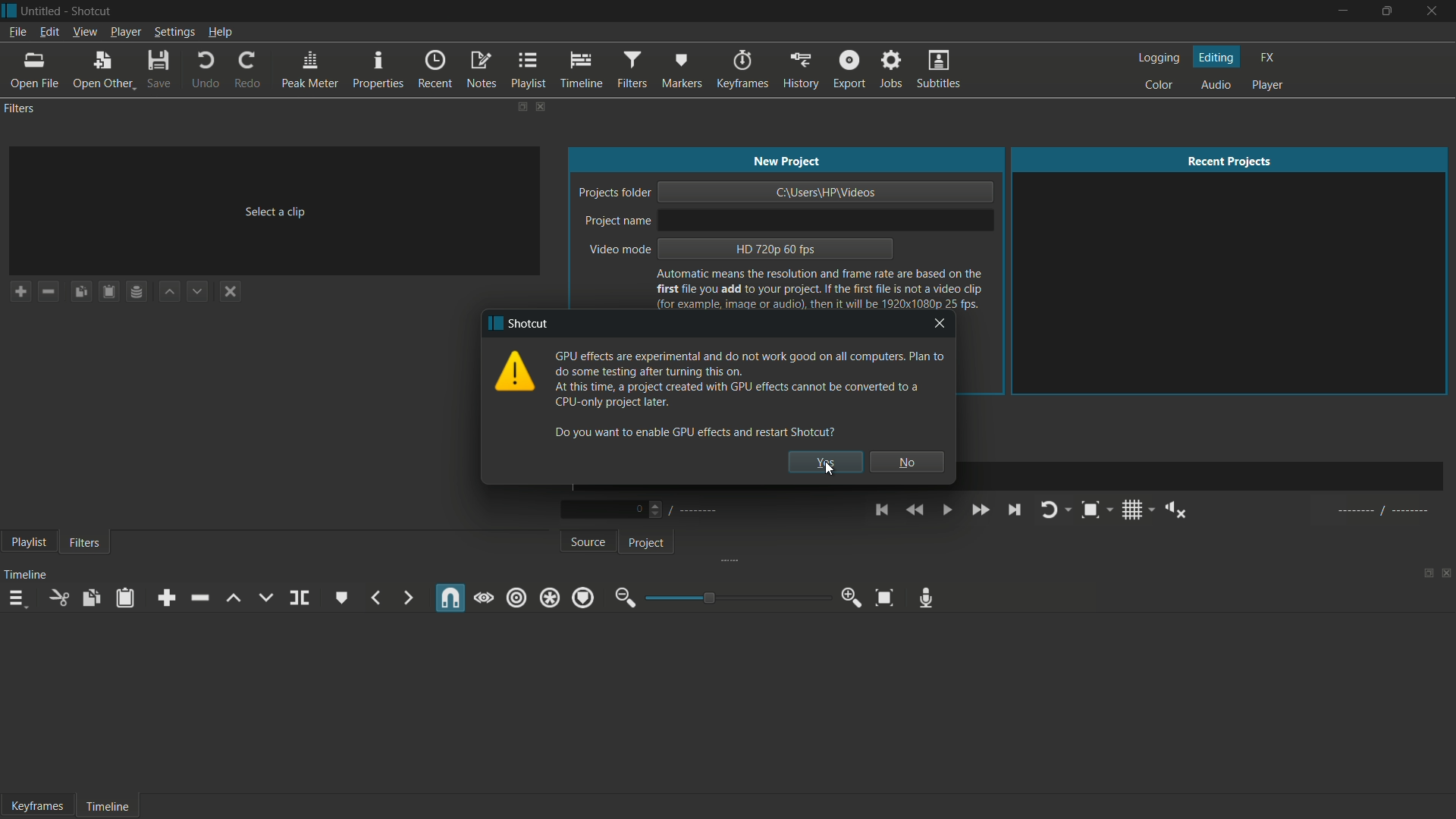  What do you see at coordinates (721, 392) in the screenshot?
I see `text` at bounding box center [721, 392].